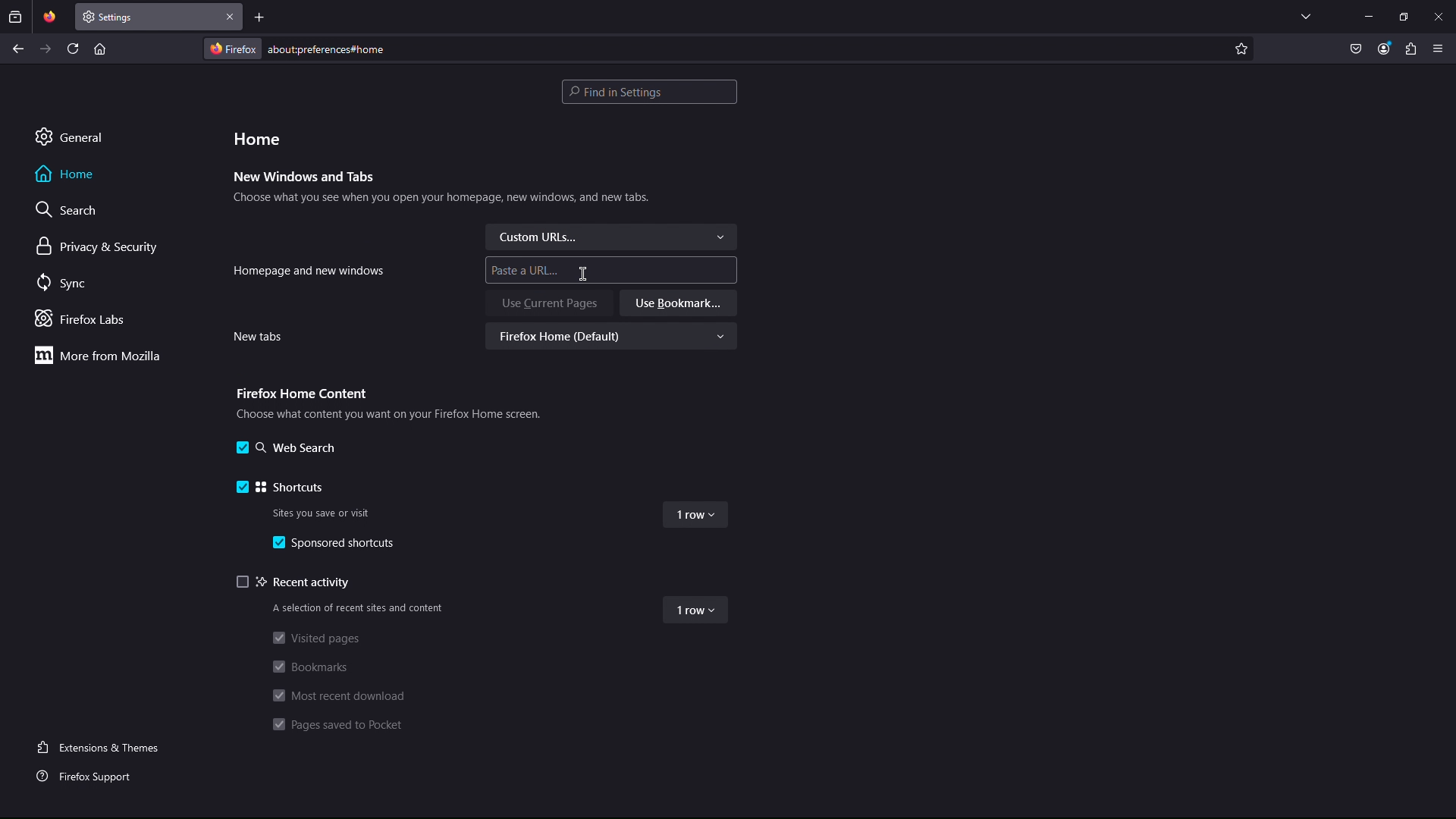 The height and width of the screenshot is (819, 1456). I want to click on Sites you save or visit, so click(325, 511).